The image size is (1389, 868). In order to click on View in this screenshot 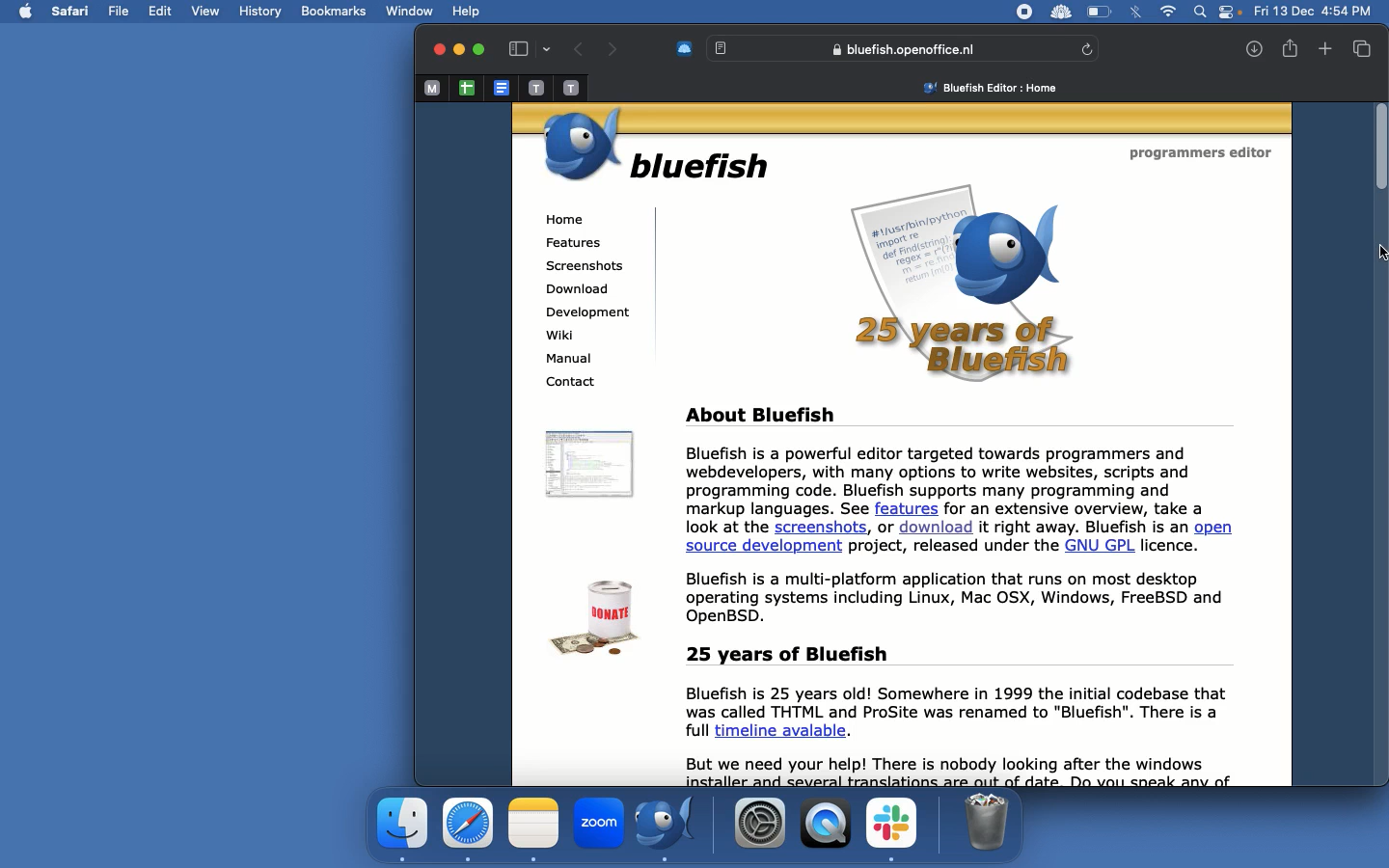, I will do `click(214, 11)`.